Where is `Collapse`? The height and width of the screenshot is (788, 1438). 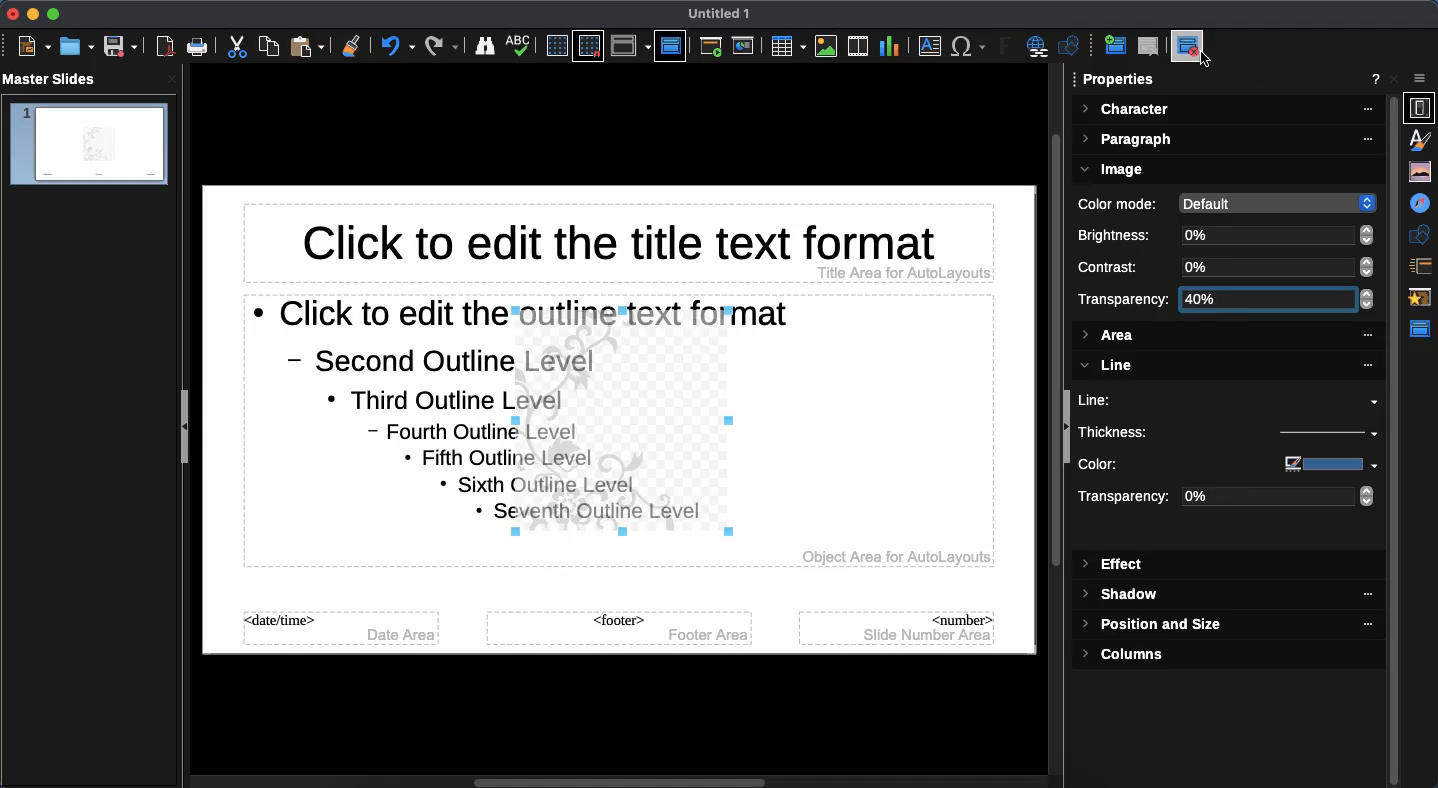
Collapse is located at coordinates (189, 429).